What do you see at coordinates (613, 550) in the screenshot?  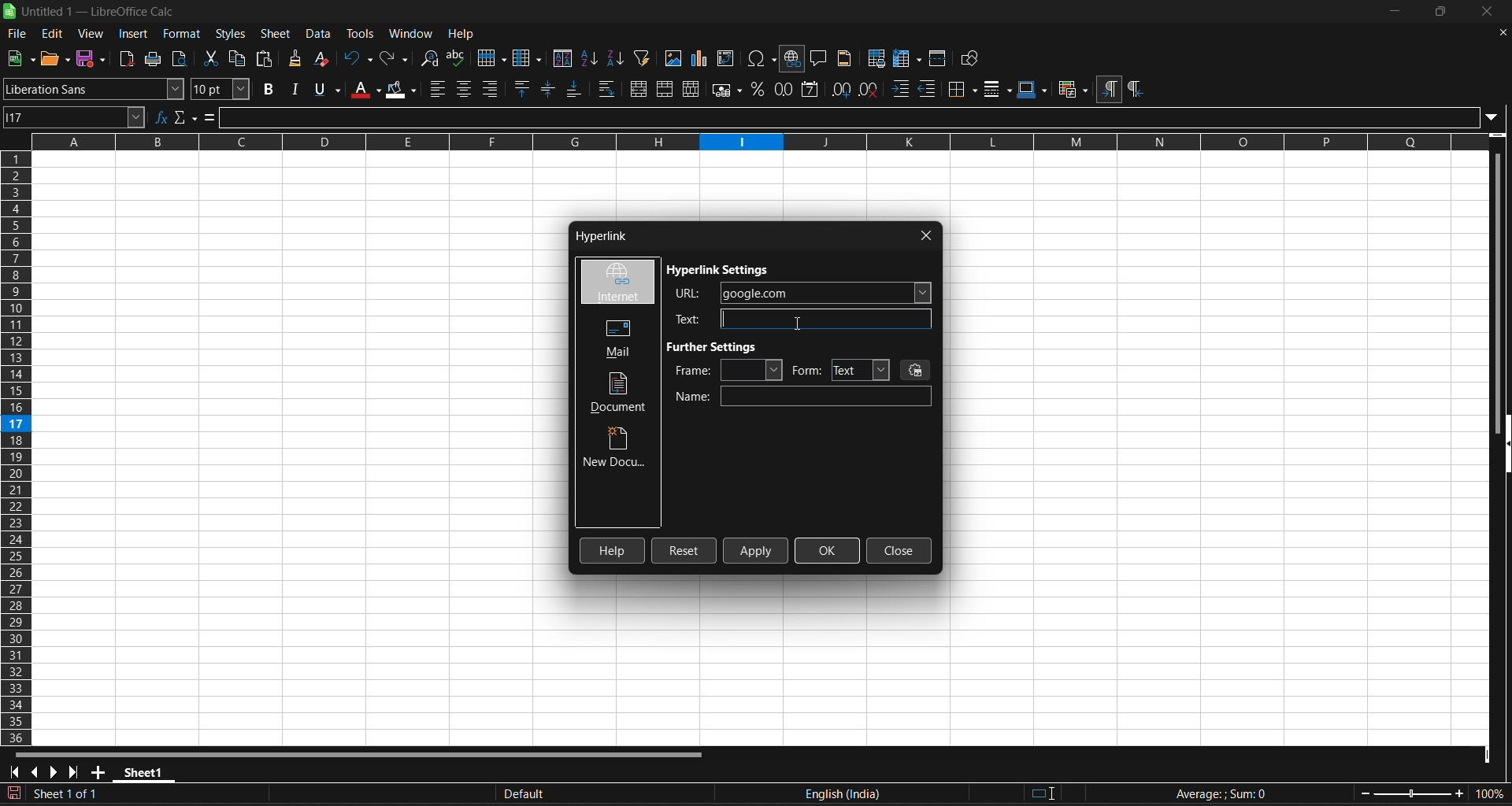 I see `help` at bounding box center [613, 550].